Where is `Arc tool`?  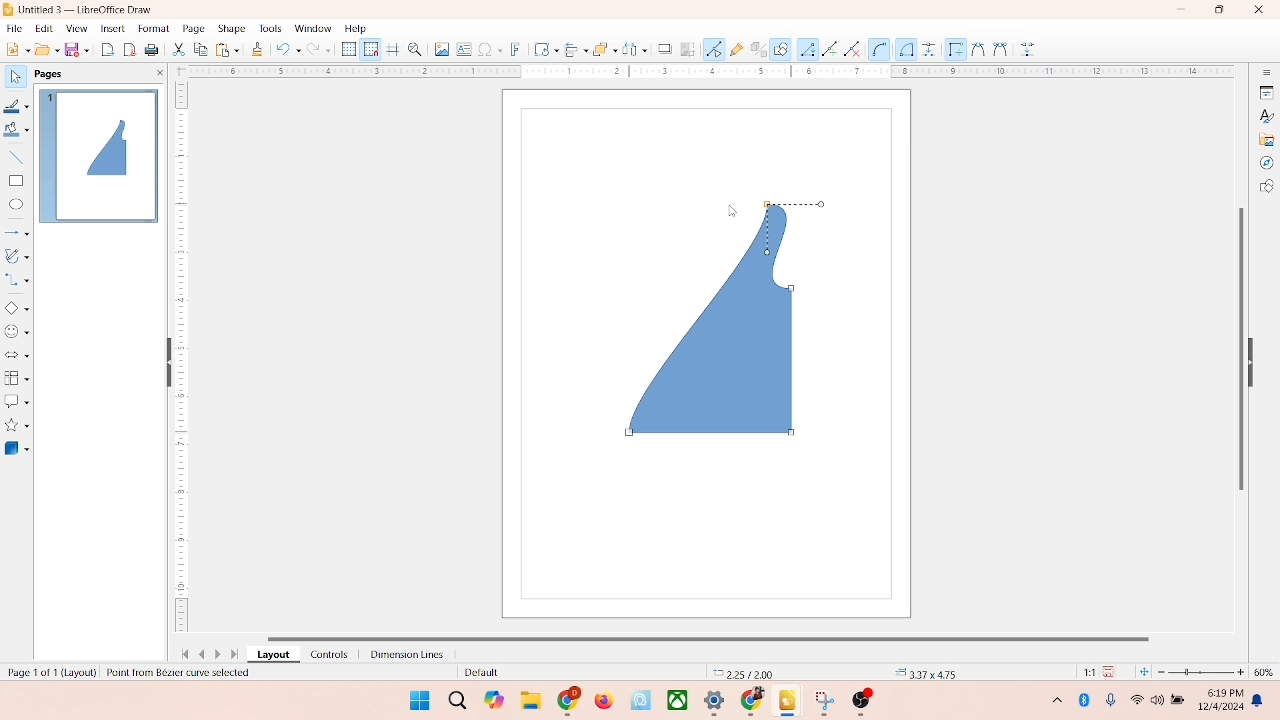
Arc tool is located at coordinates (856, 49).